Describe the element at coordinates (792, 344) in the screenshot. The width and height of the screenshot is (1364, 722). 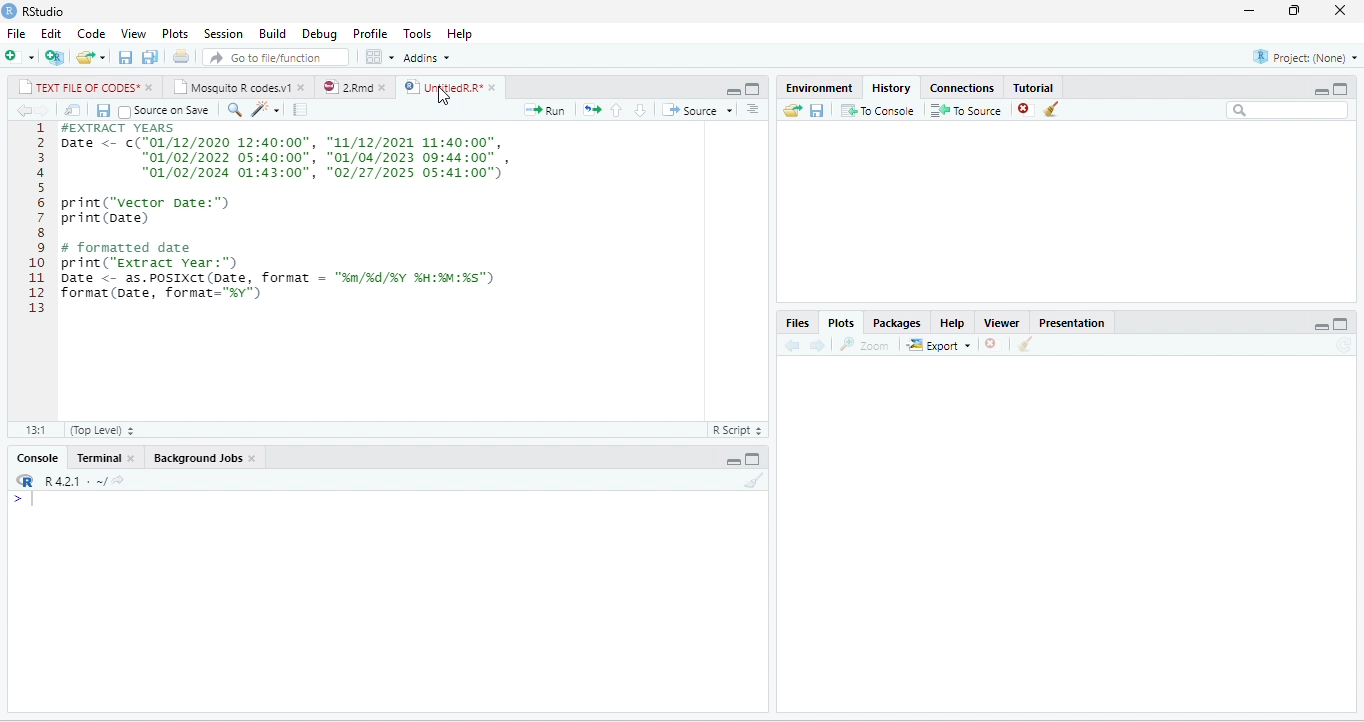
I see `back` at that location.